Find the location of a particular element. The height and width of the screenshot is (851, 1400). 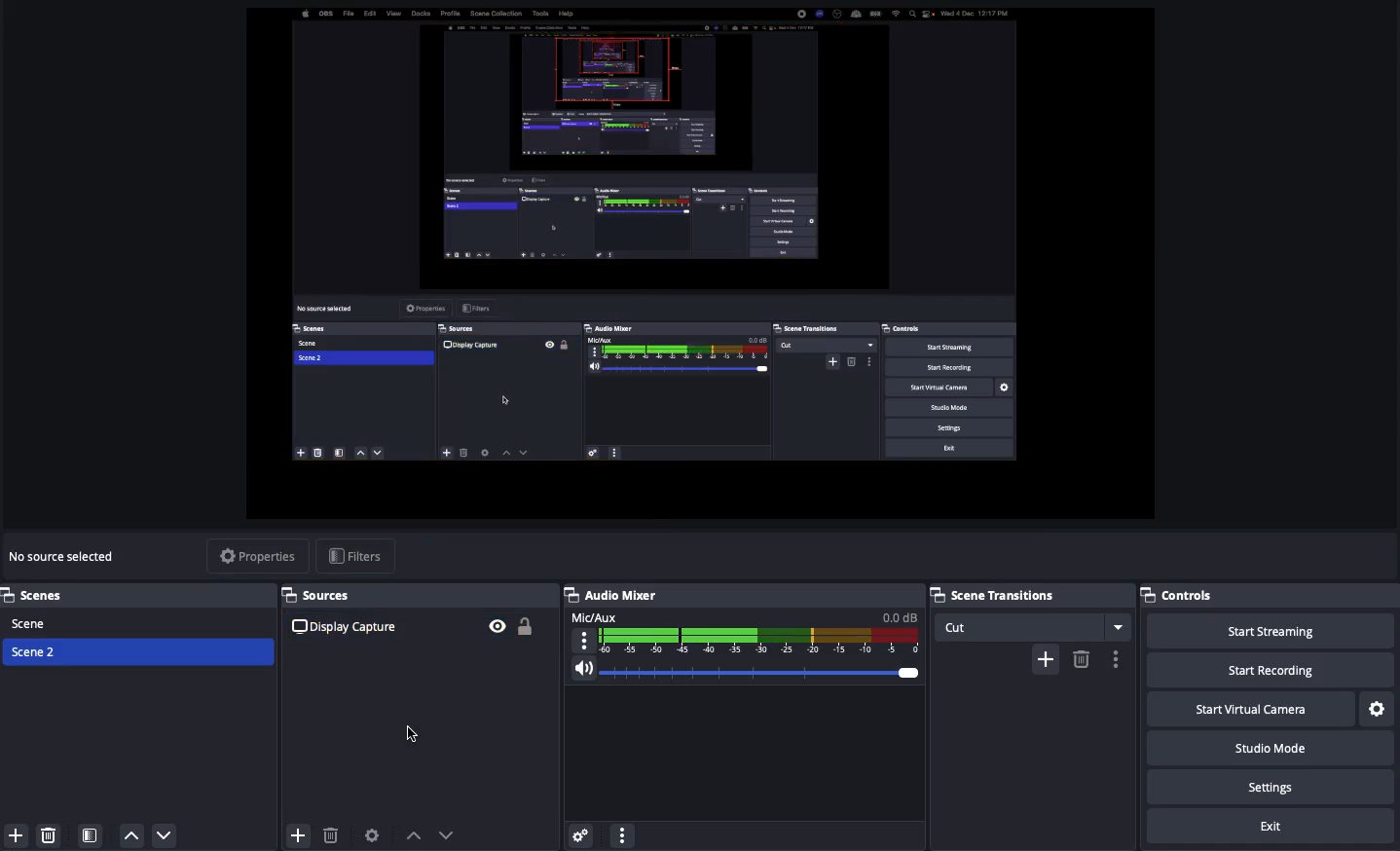

Start recording is located at coordinates (1265, 669).